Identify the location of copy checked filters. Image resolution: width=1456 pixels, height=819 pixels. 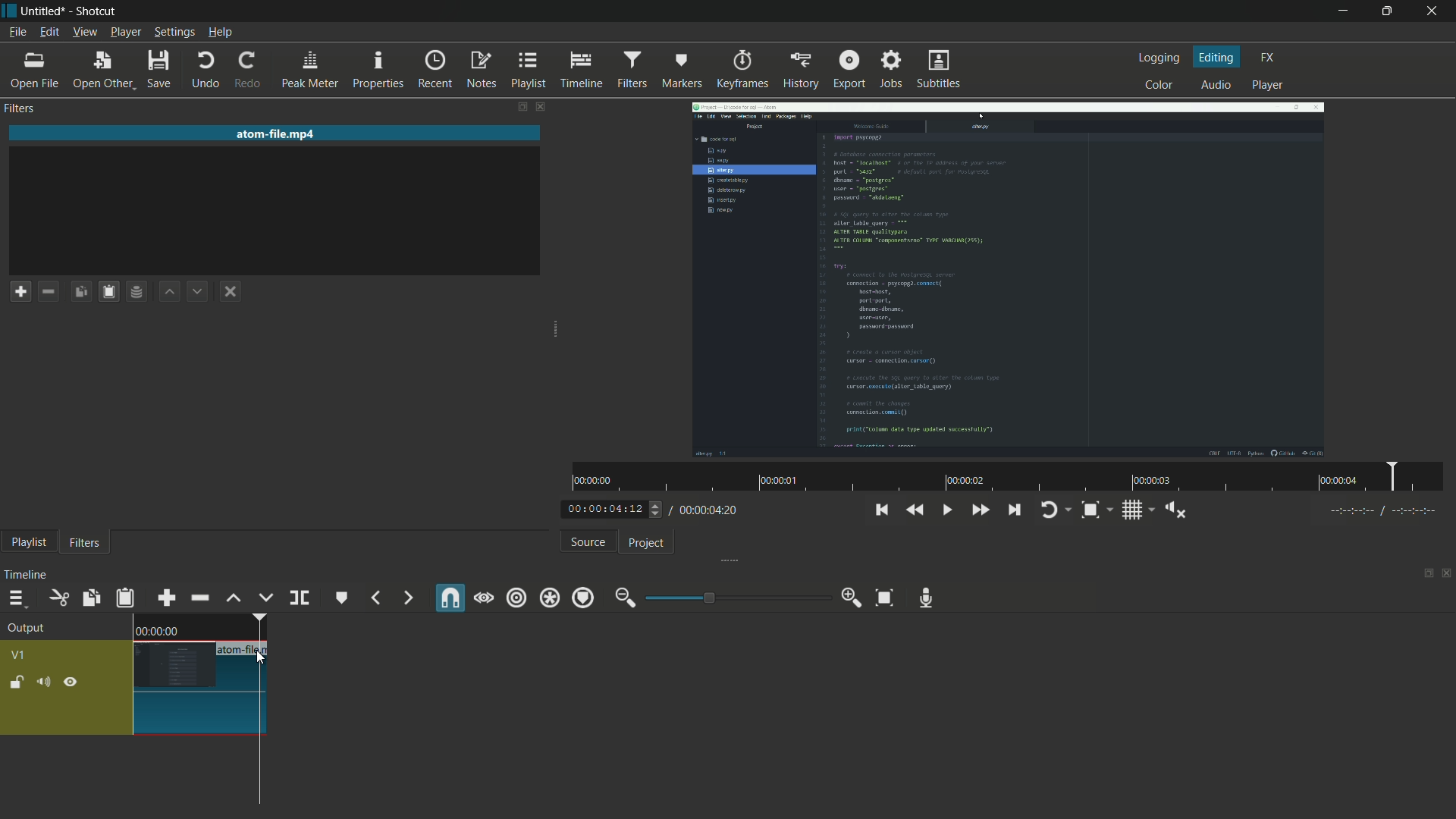
(80, 293).